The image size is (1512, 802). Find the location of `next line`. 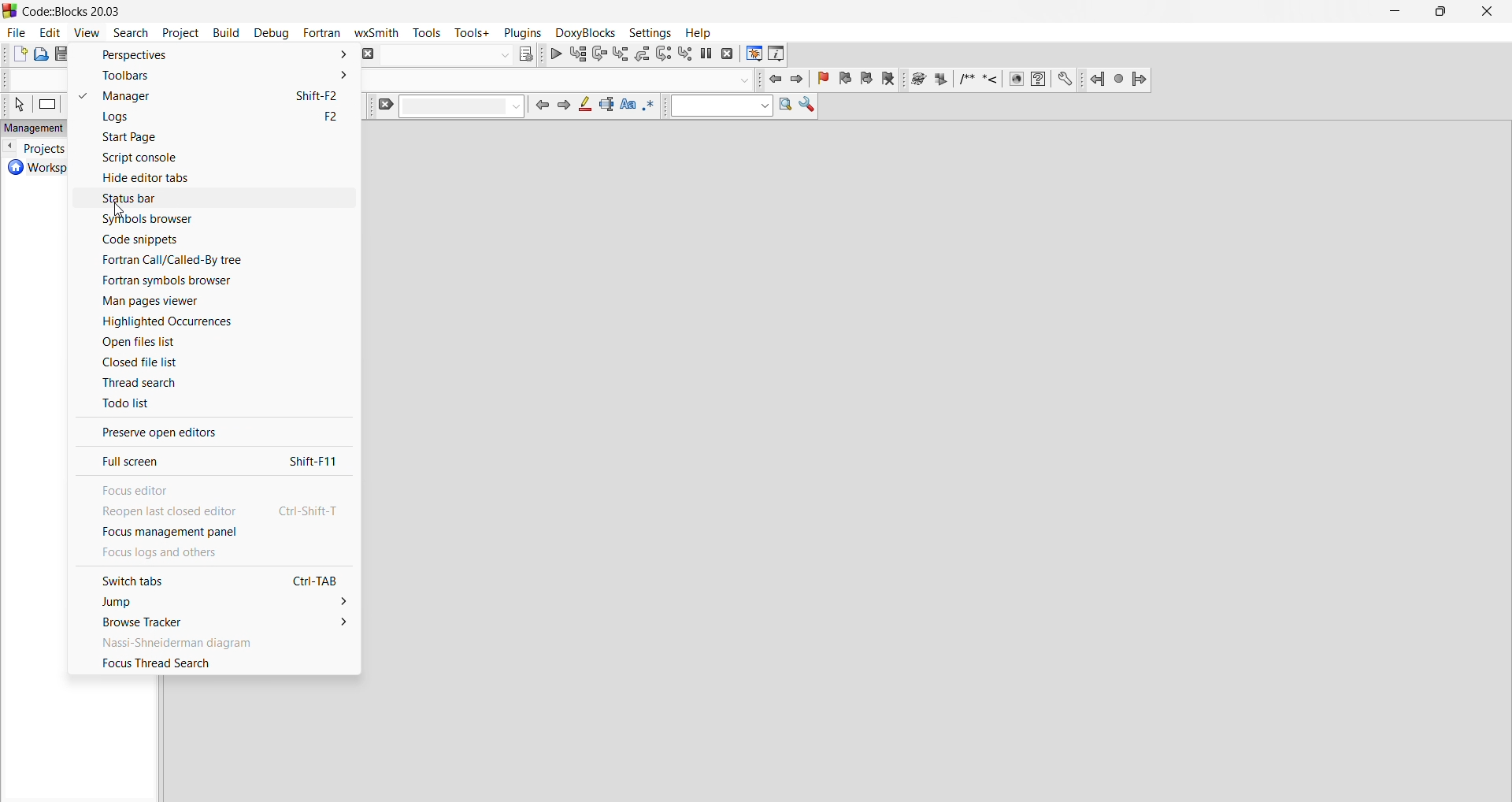

next line is located at coordinates (602, 57).